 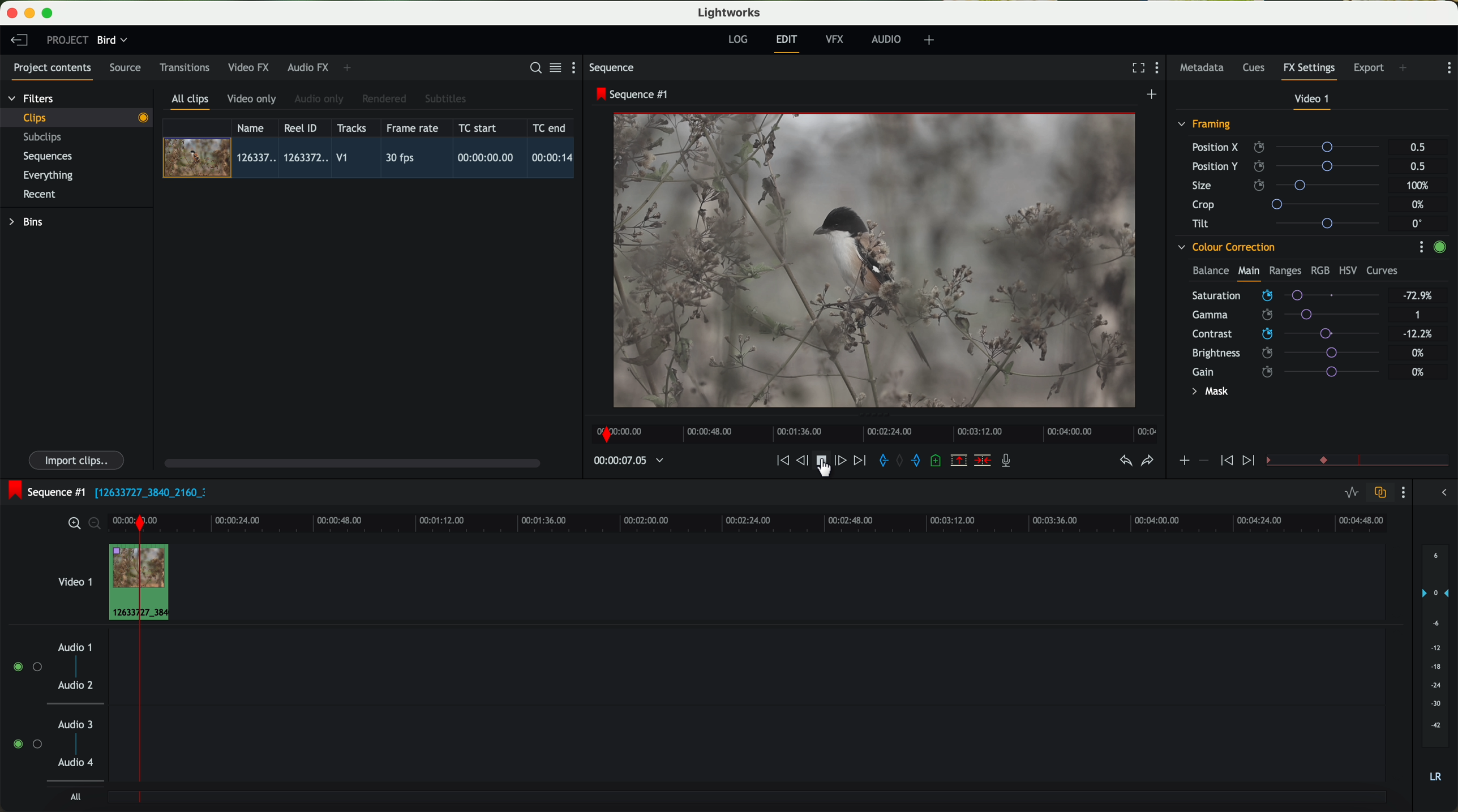 What do you see at coordinates (1204, 68) in the screenshot?
I see `metadata` at bounding box center [1204, 68].